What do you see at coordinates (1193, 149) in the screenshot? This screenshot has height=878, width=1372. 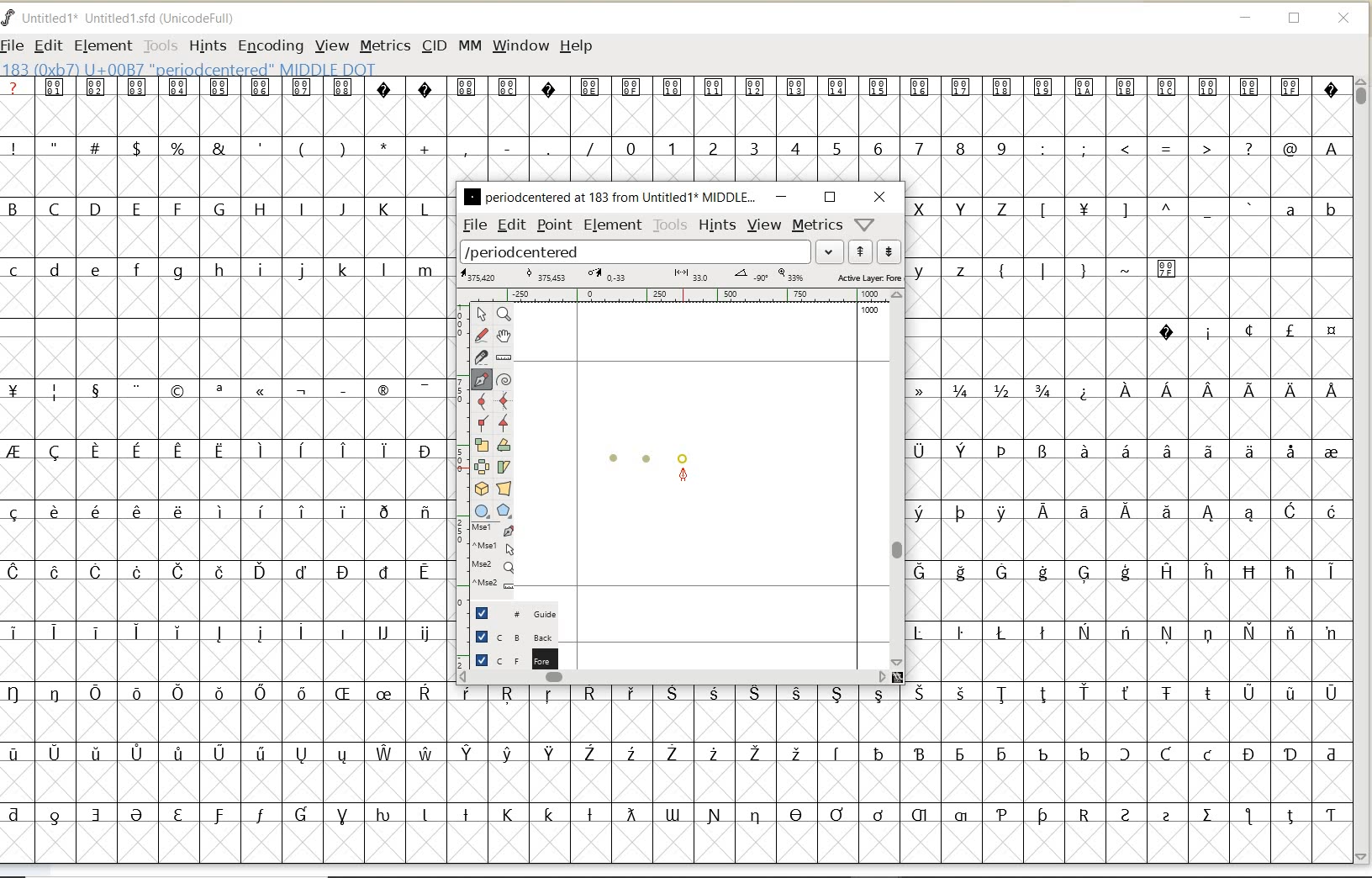 I see `special characters` at bounding box center [1193, 149].